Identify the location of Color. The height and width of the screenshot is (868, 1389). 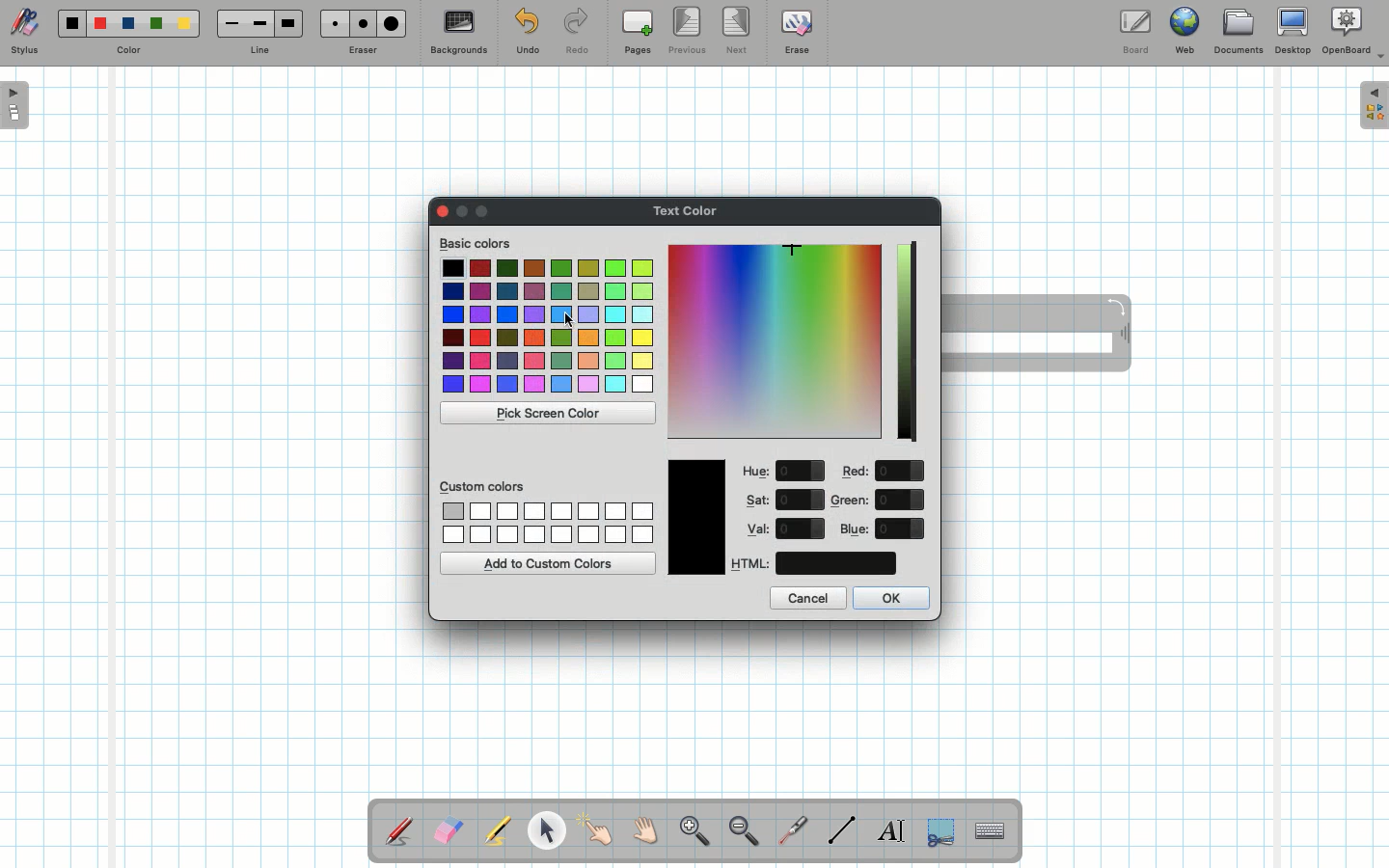
(126, 51).